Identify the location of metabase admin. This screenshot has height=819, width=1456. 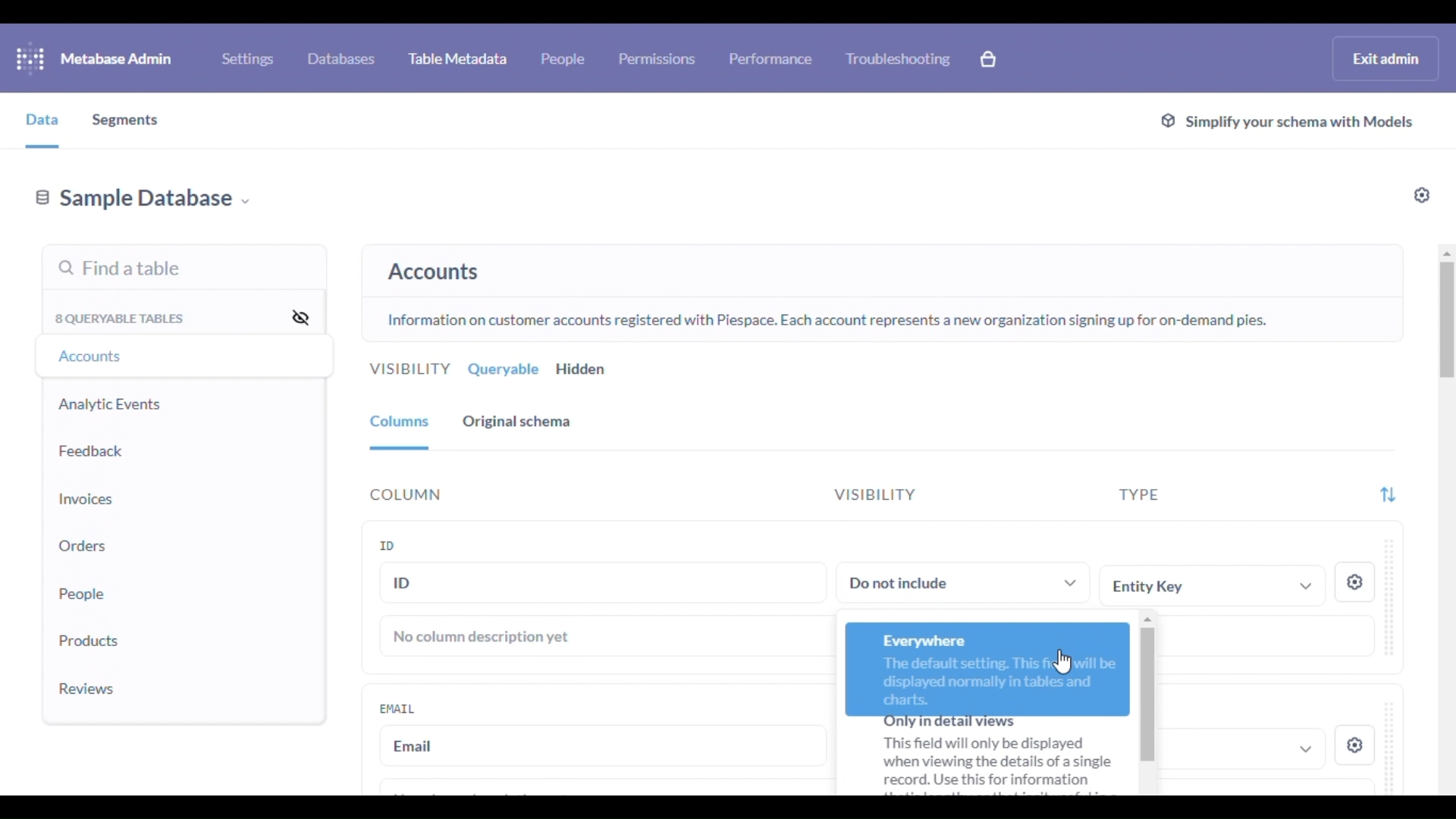
(117, 58).